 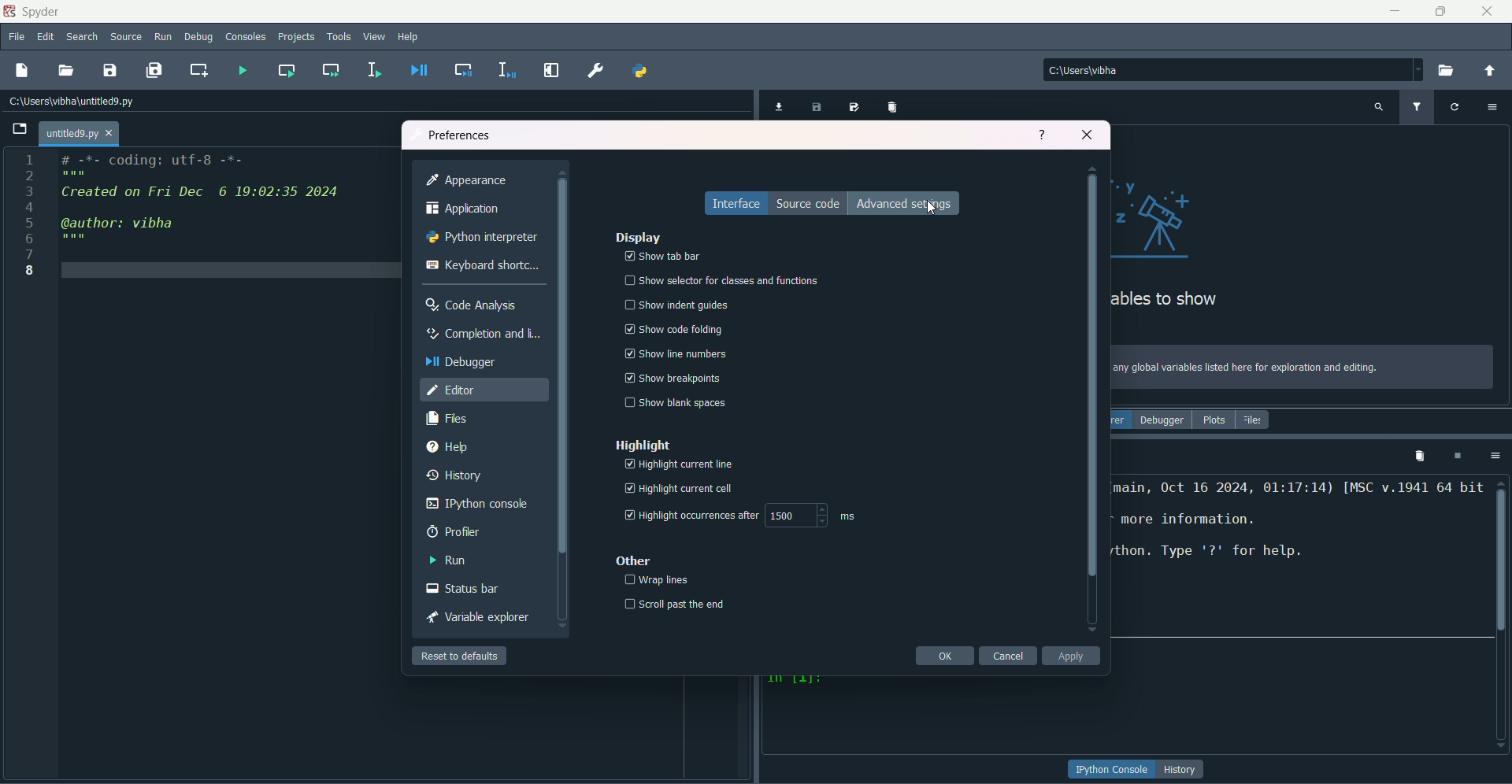 I want to click on highlight timer, so click(x=689, y=513).